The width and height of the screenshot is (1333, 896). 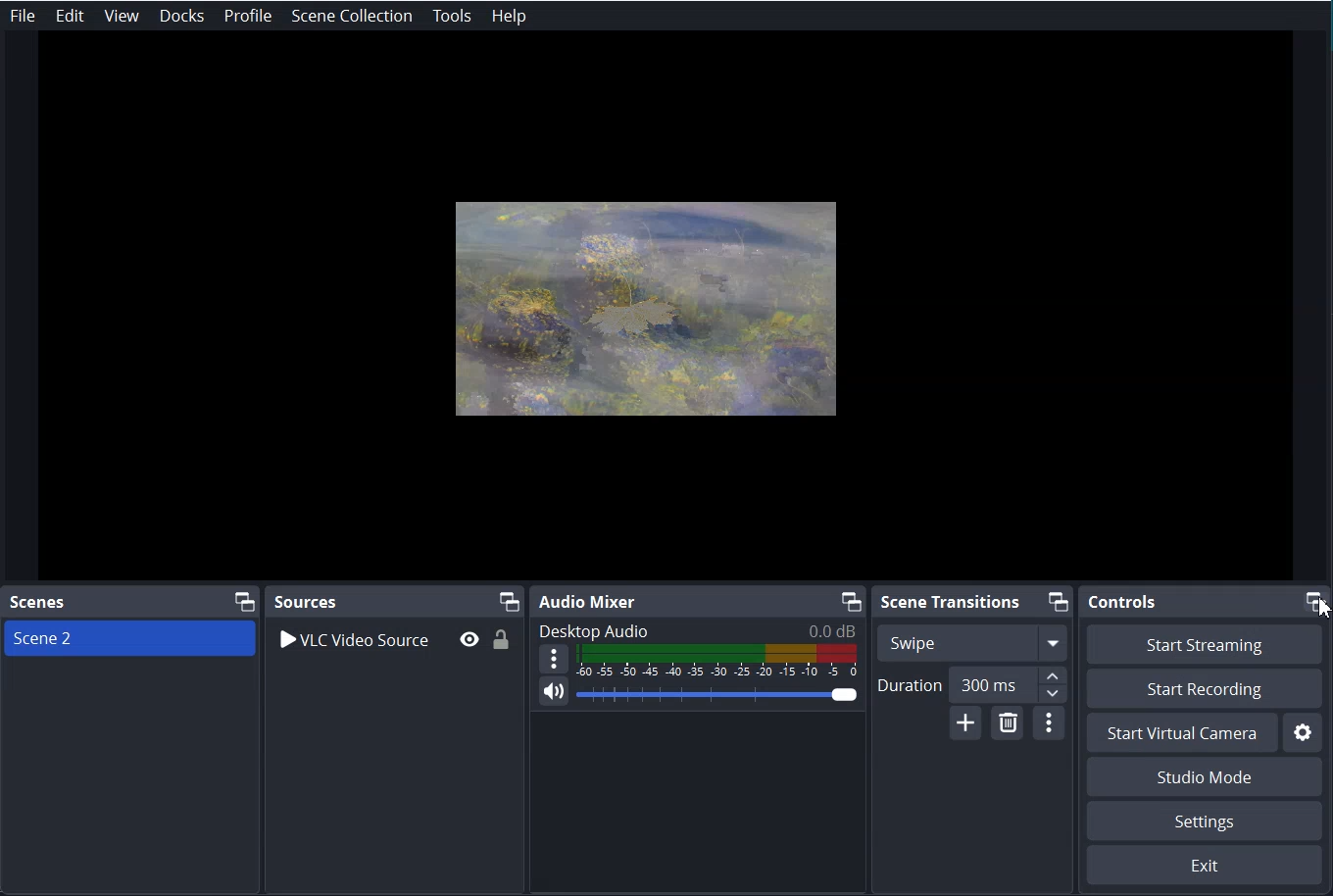 I want to click on Maximize, so click(x=510, y=601).